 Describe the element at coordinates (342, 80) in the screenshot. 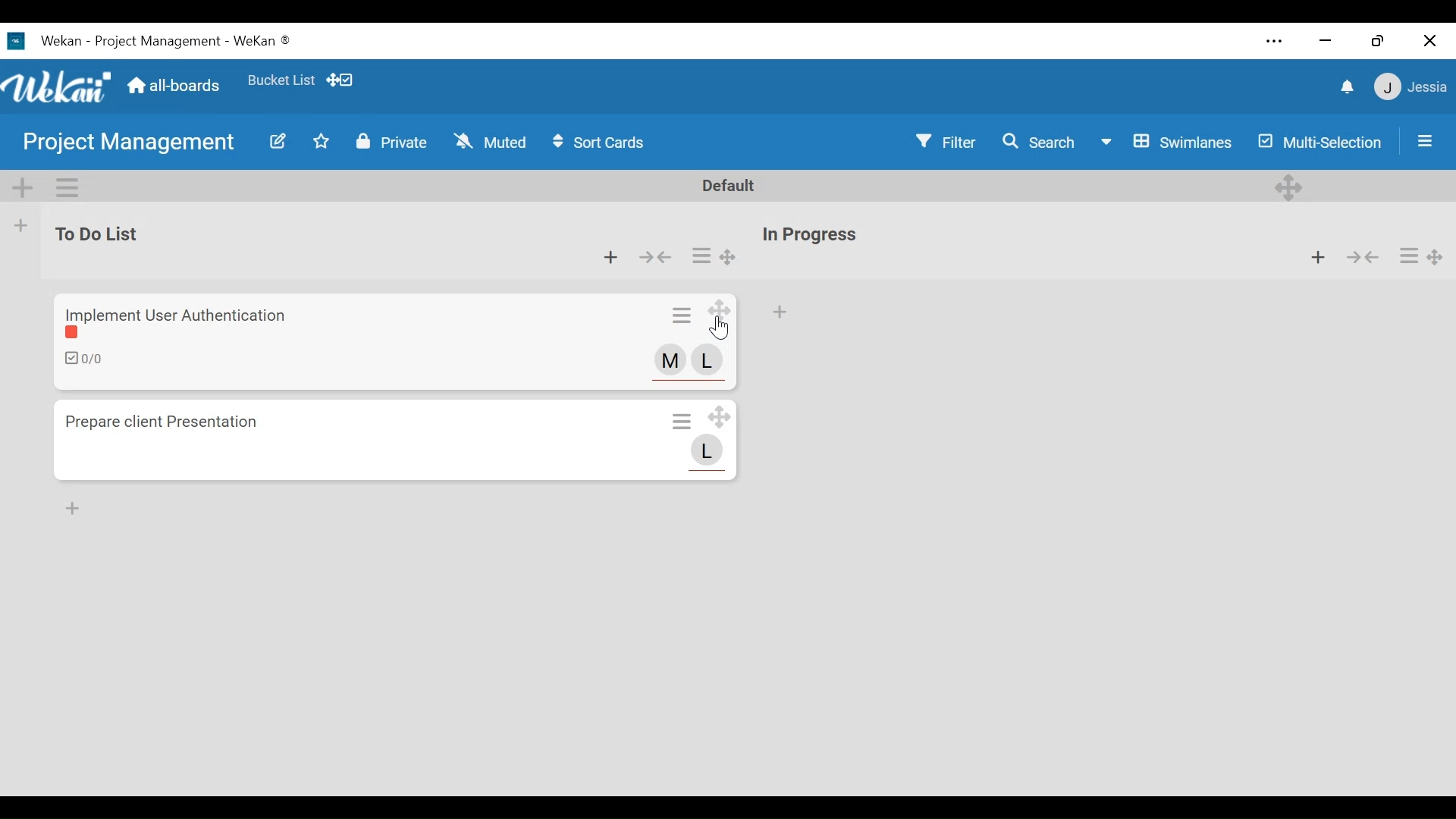

I see `Show desktop drag handles` at that location.